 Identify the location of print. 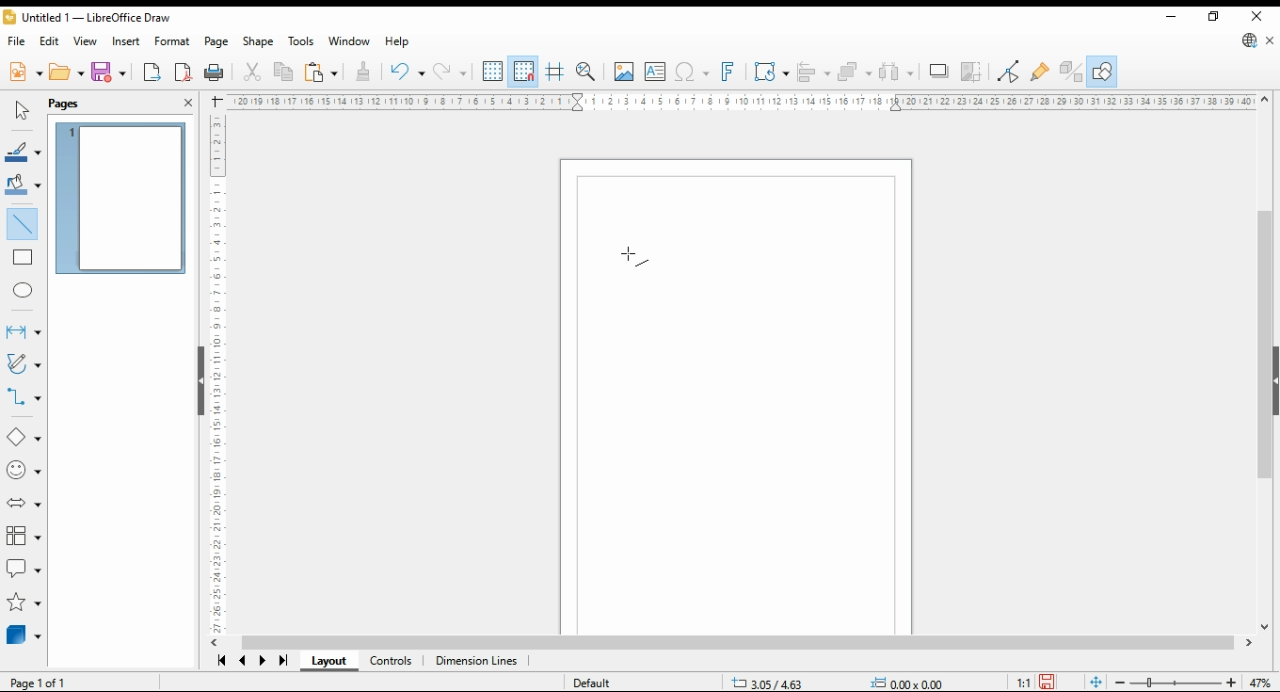
(215, 71).